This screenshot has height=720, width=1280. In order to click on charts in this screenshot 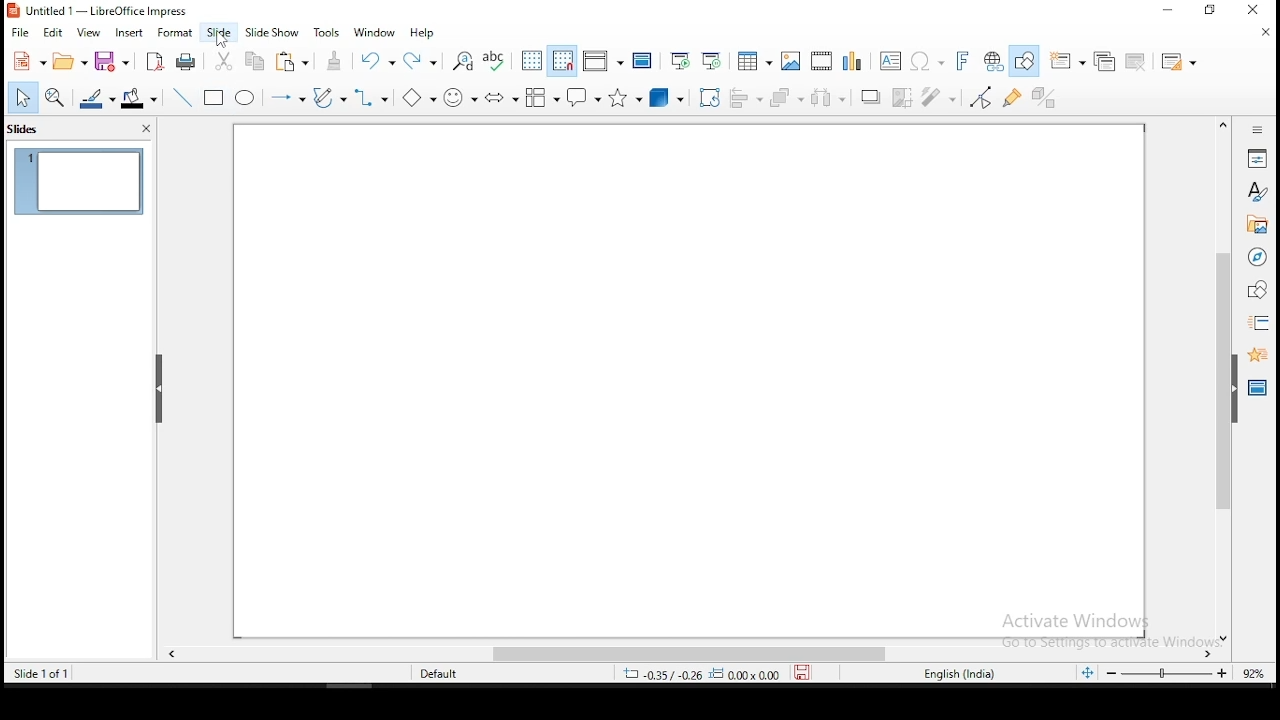, I will do `click(855, 62)`.